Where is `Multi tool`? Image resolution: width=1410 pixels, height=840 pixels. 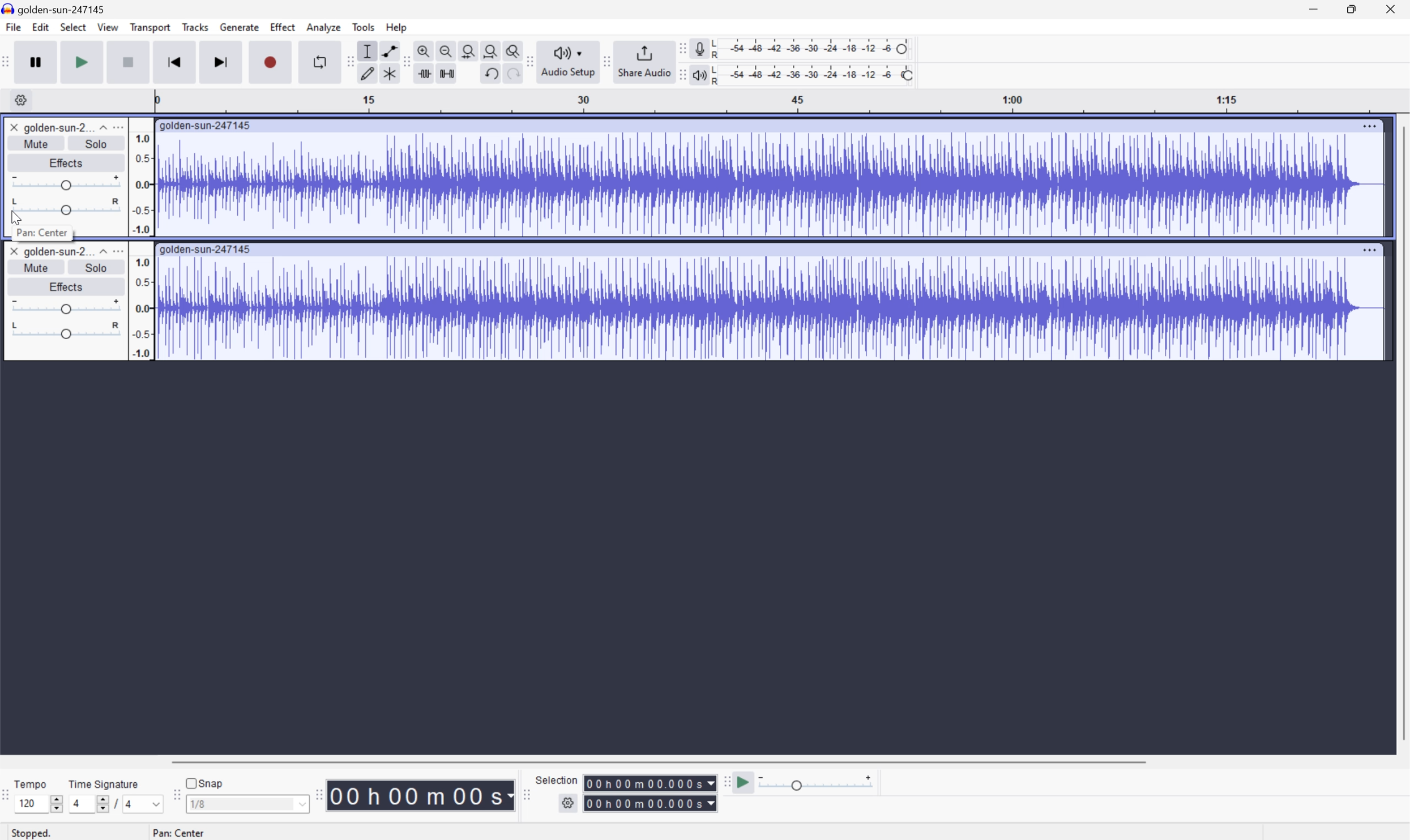 Multi tool is located at coordinates (389, 72).